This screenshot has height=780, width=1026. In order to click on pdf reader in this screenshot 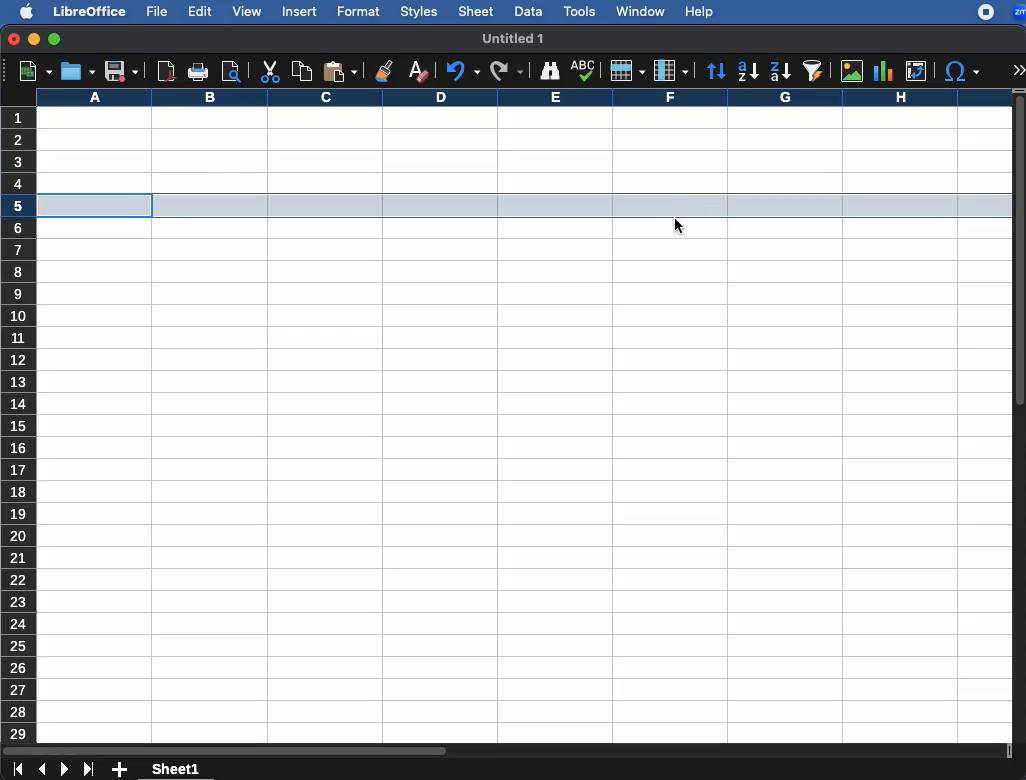, I will do `click(165, 71)`.